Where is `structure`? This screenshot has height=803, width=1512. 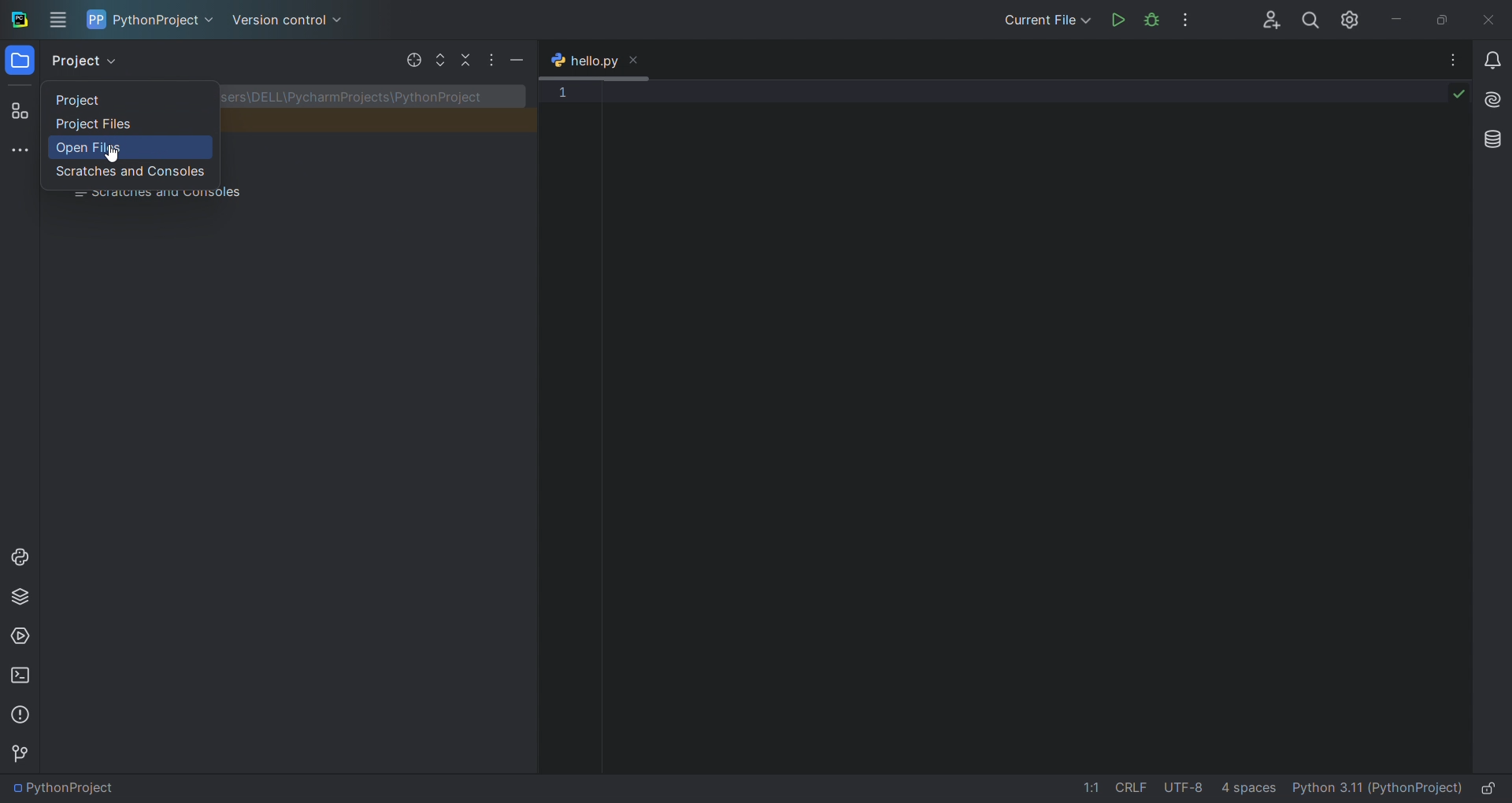
structure is located at coordinates (18, 109).